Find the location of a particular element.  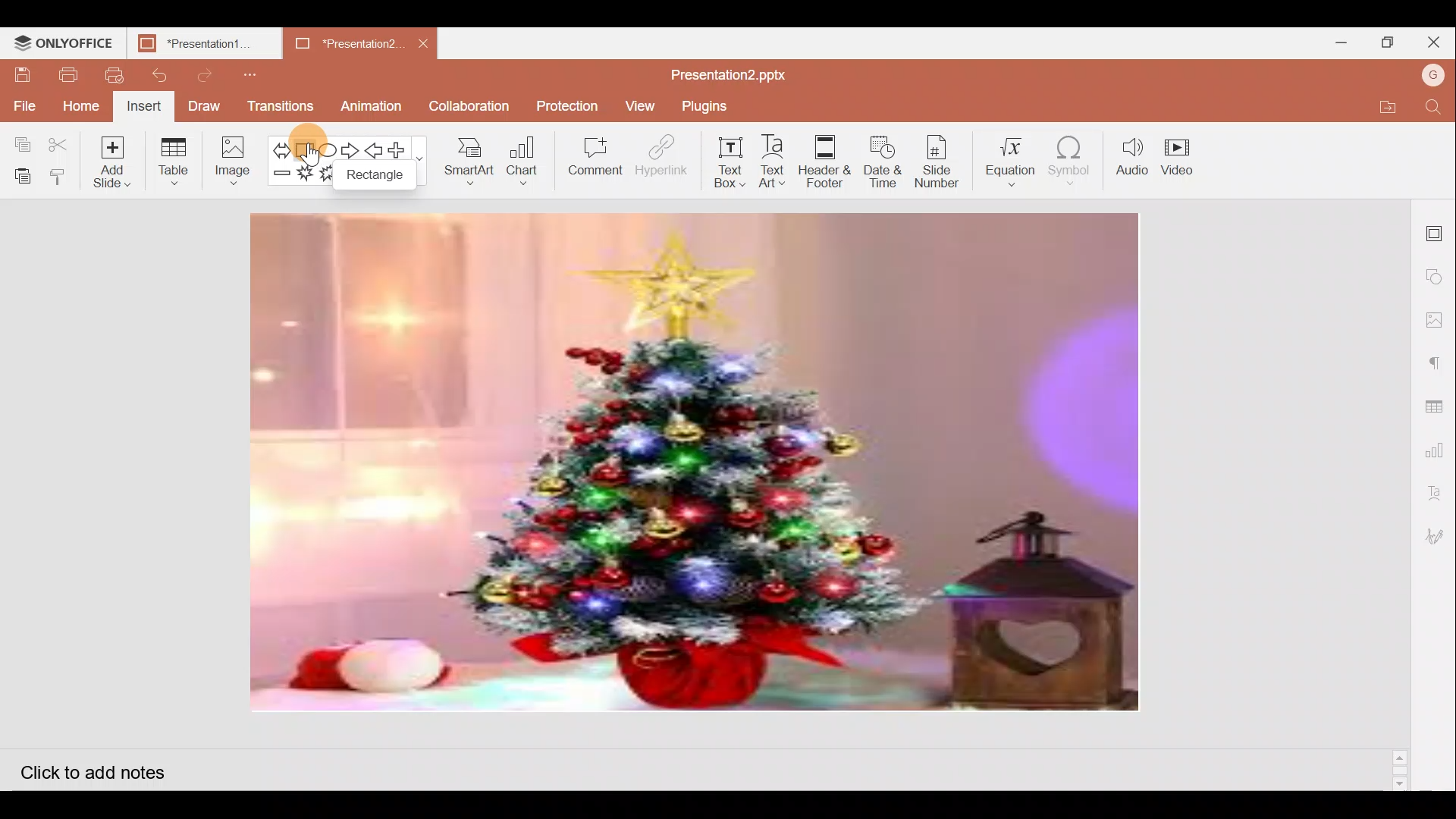

Print file is located at coordinates (62, 76).